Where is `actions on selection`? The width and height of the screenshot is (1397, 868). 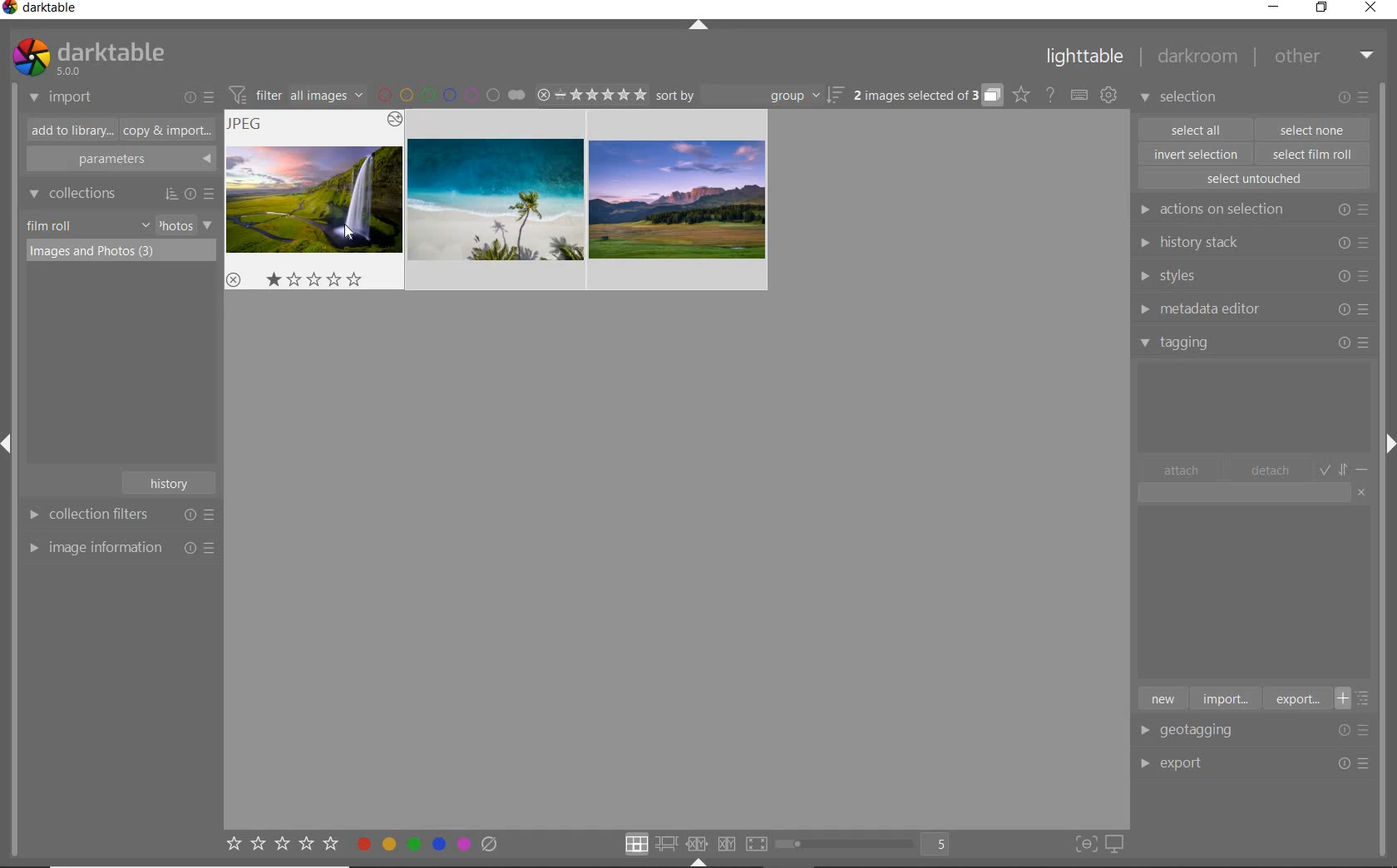
actions on selection is located at coordinates (1251, 210).